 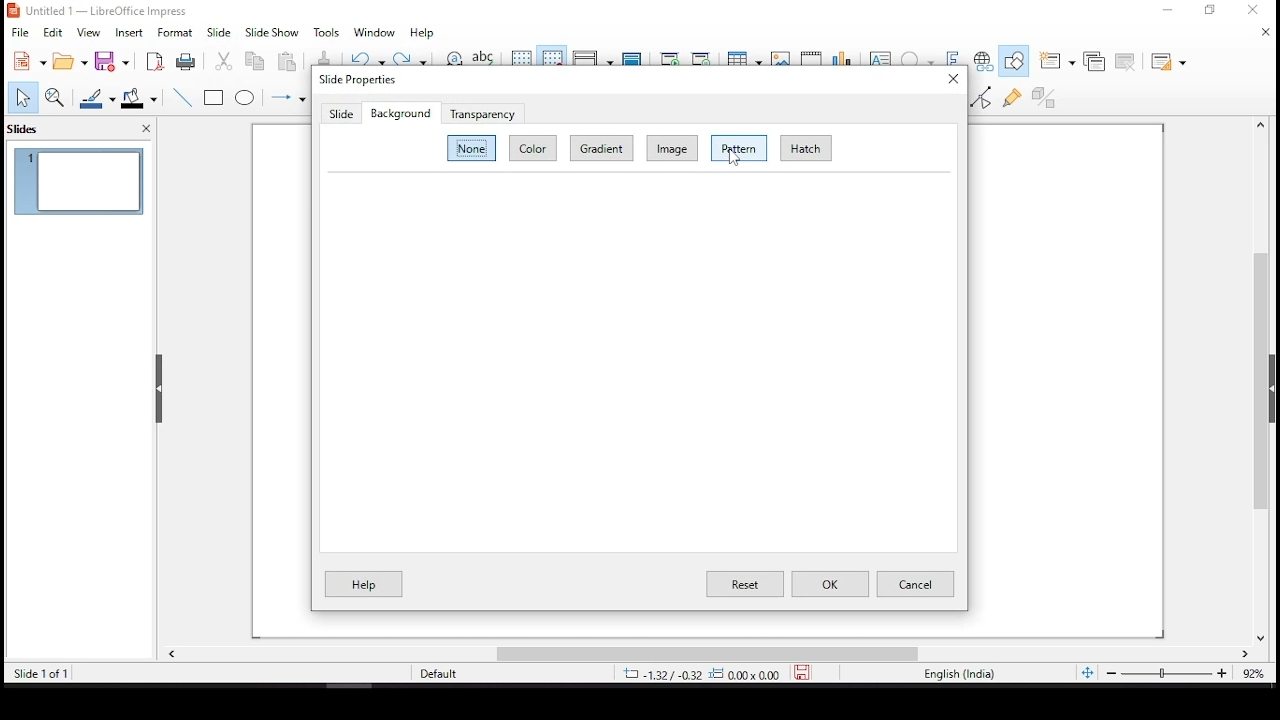 I want to click on toggle extrusion, so click(x=1043, y=97).